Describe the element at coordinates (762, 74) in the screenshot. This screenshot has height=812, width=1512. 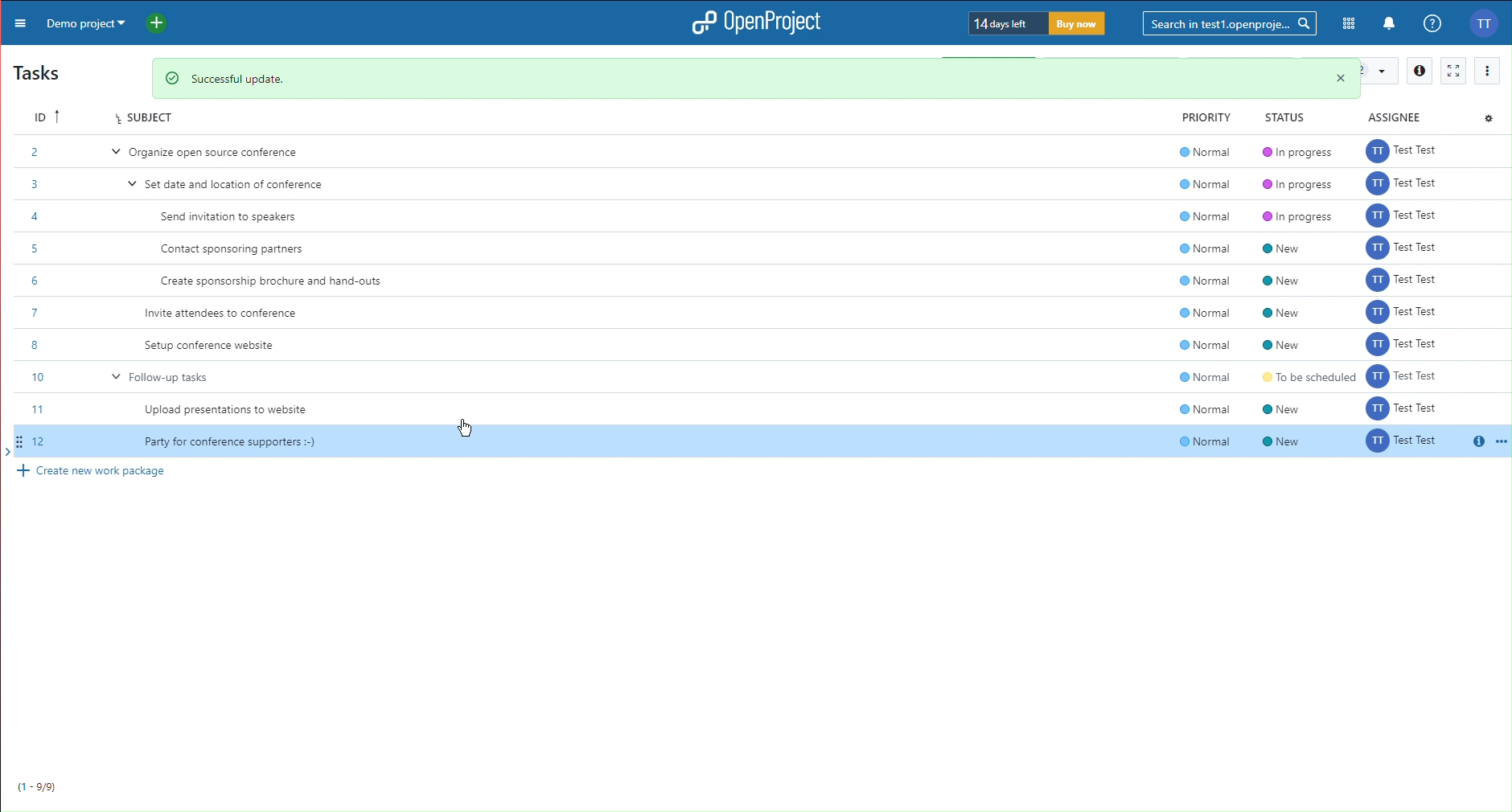
I see `Successful update` at that location.